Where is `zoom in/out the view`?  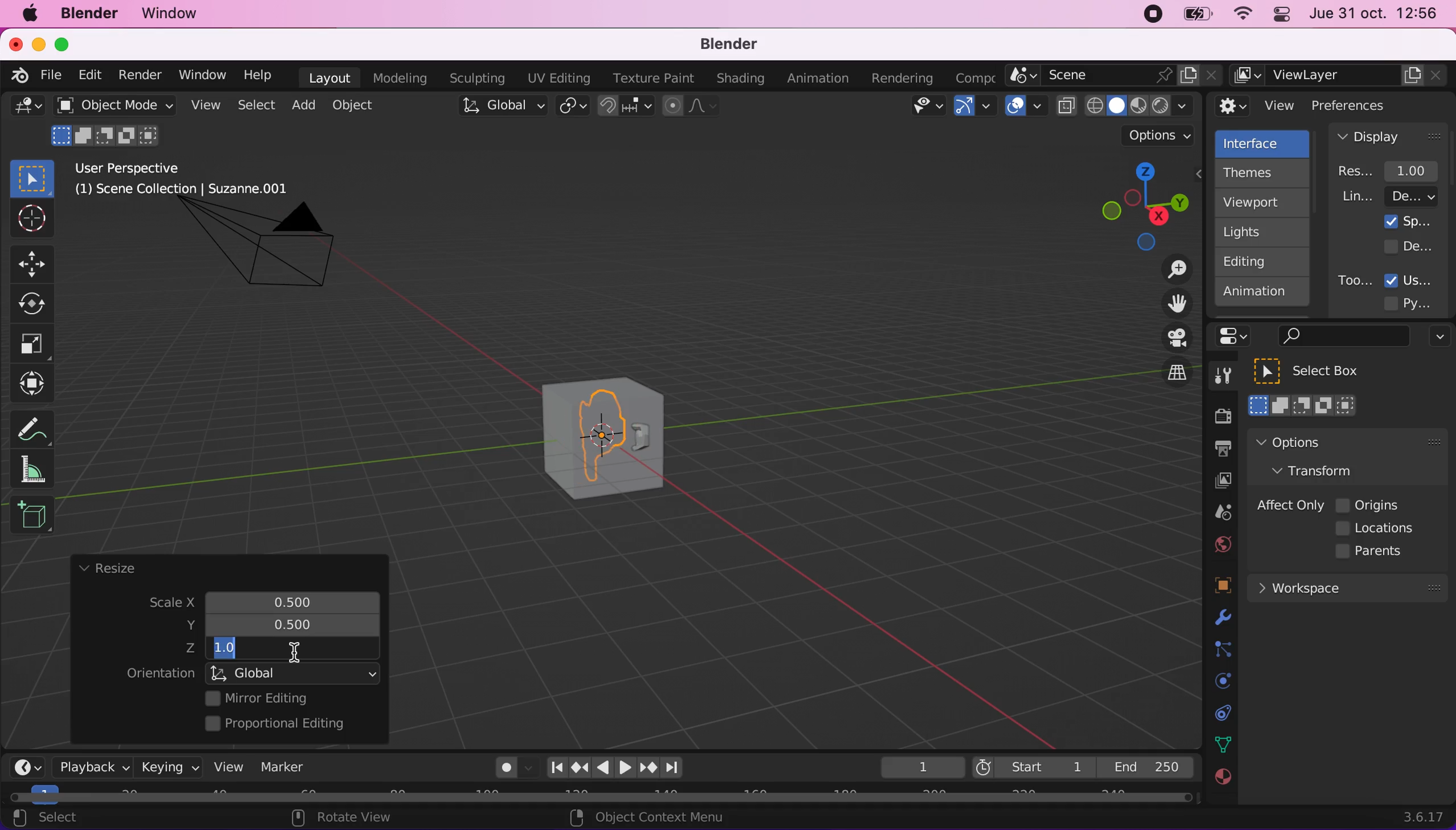 zoom in/out the view is located at coordinates (1171, 269).